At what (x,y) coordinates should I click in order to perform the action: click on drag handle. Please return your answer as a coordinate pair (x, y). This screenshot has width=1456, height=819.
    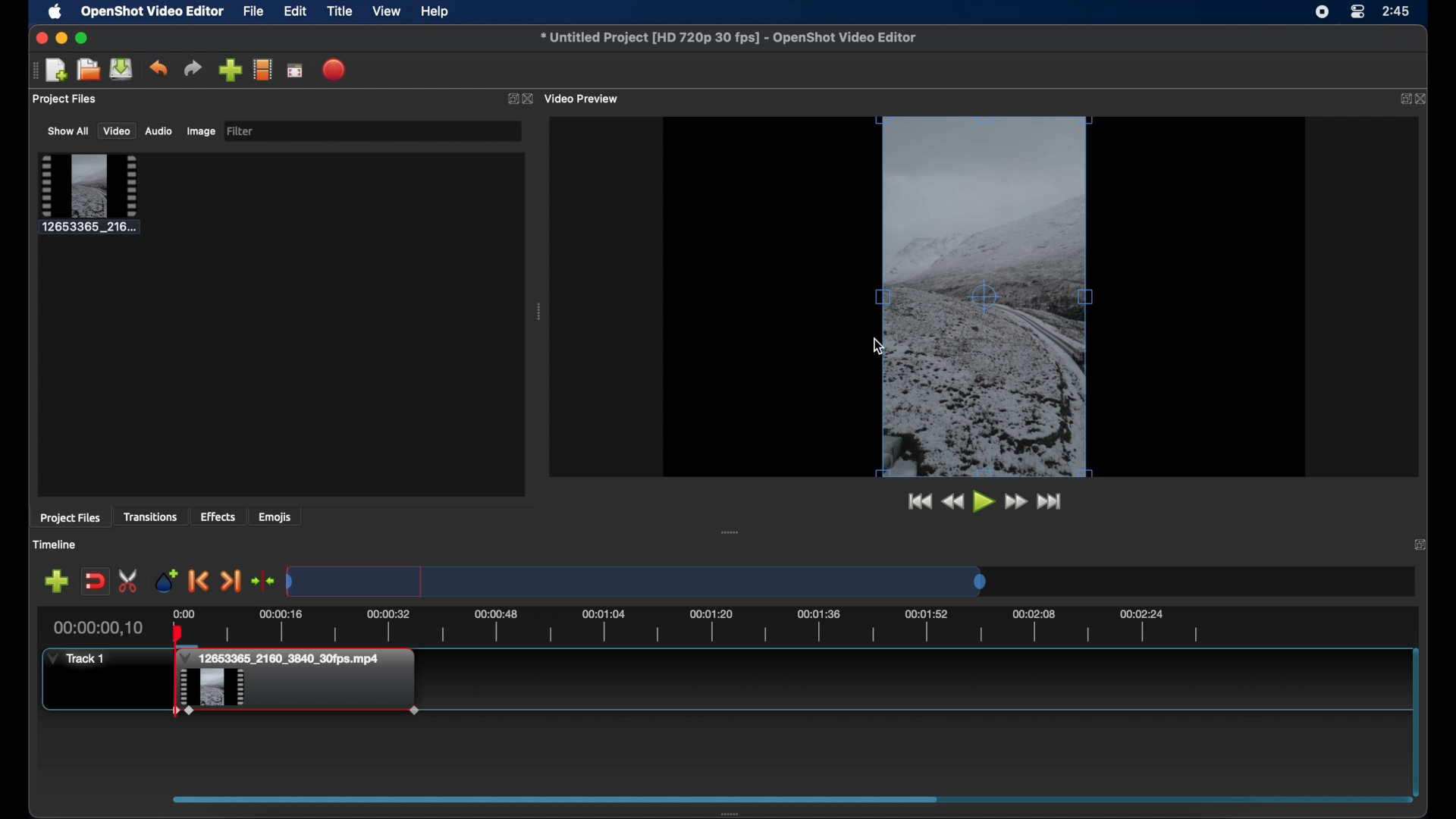
    Looking at the image, I should click on (31, 71).